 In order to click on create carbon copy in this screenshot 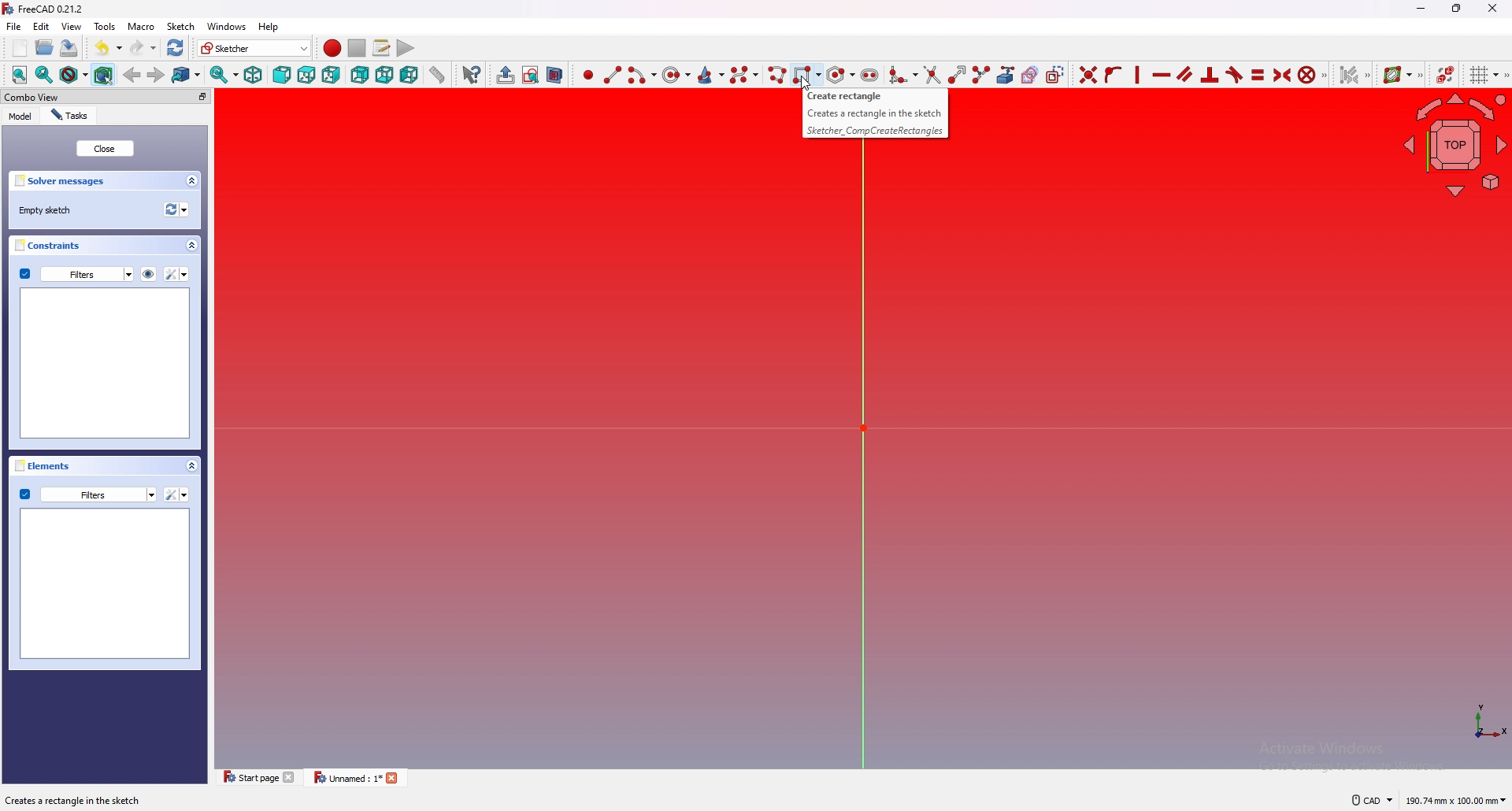, I will do `click(1031, 75)`.